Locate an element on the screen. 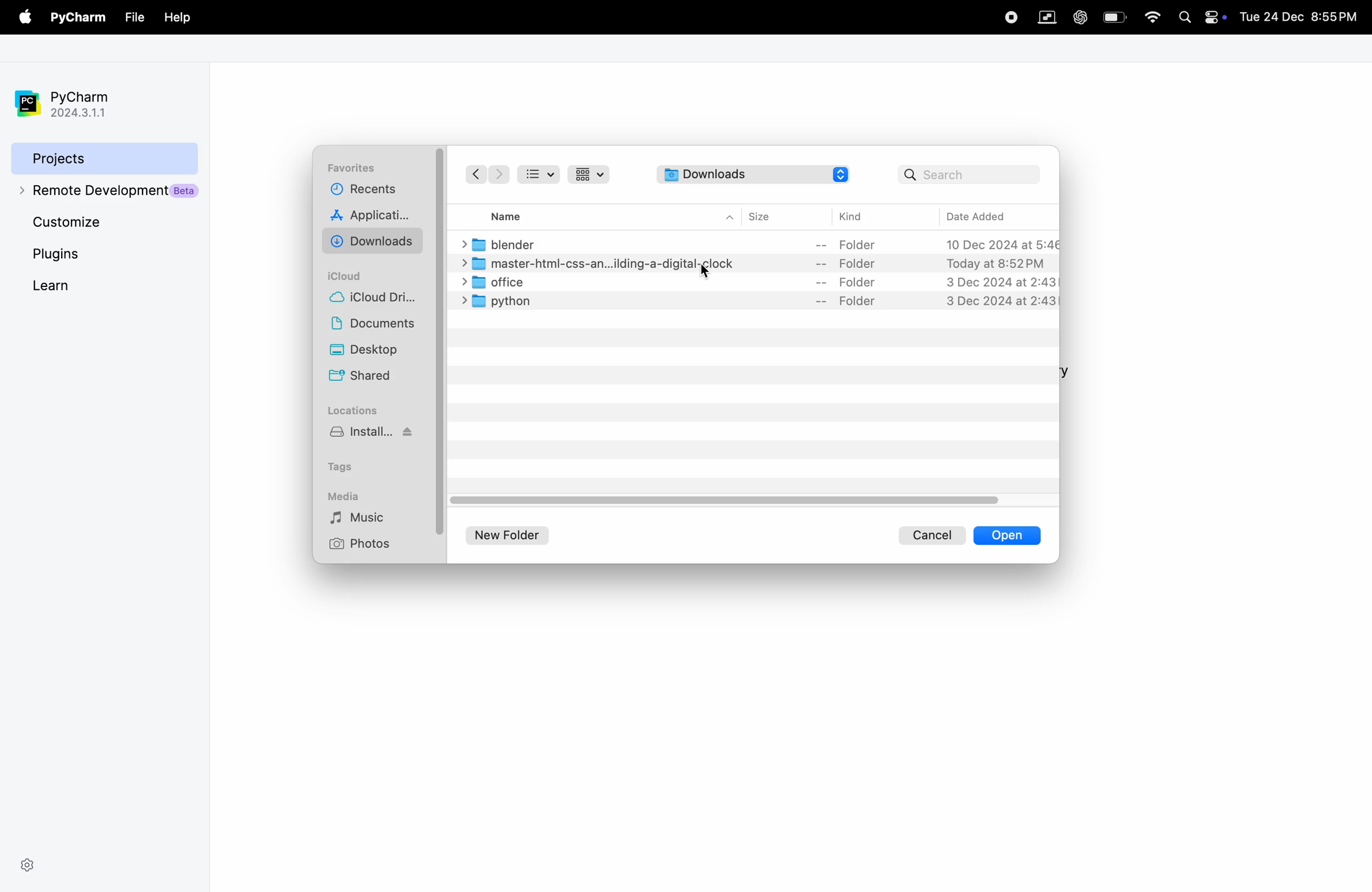 The width and height of the screenshot is (1372, 892). documents is located at coordinates (377, 326).